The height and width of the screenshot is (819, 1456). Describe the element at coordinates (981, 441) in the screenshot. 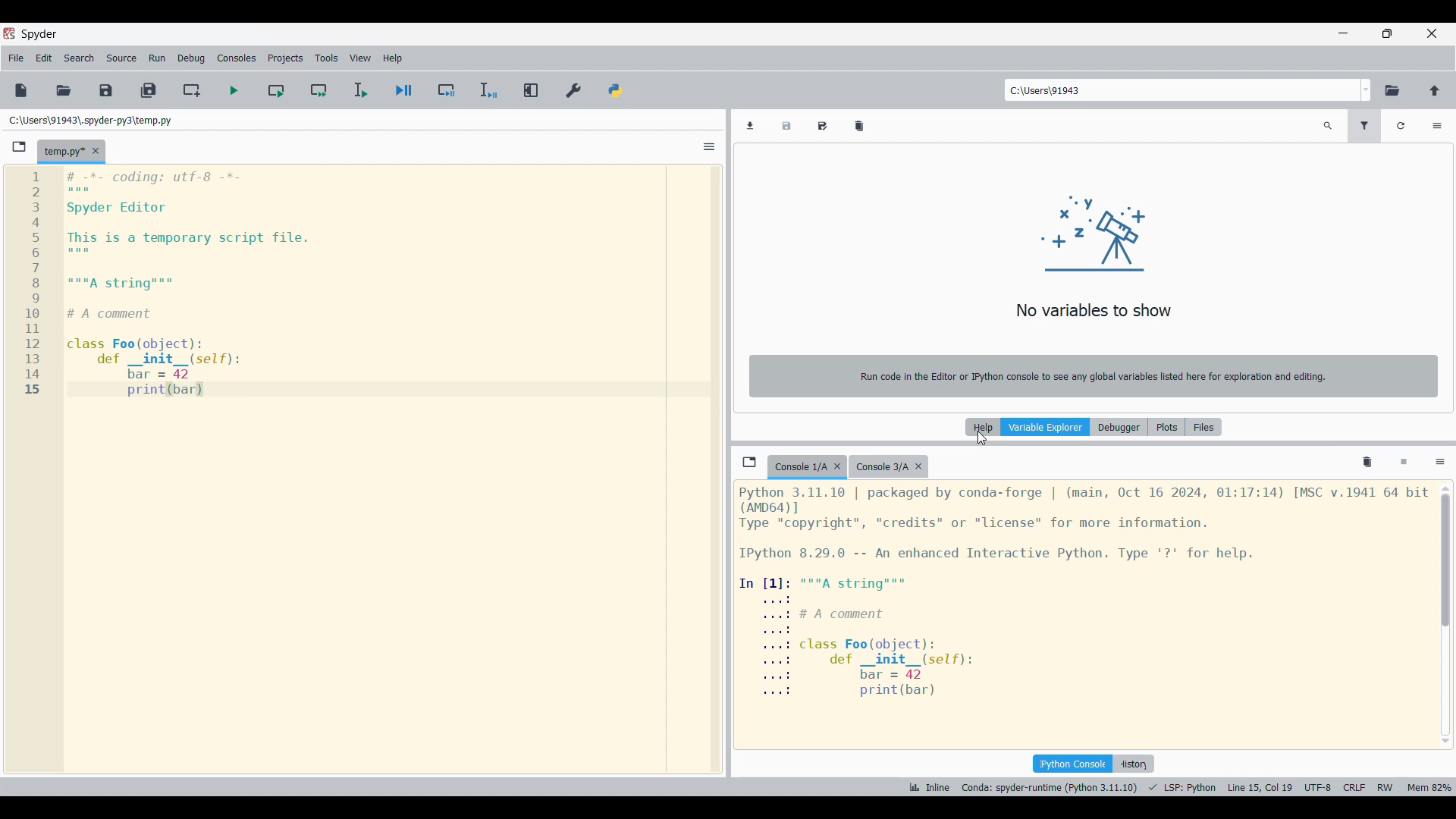

I see `cursor` at that location.